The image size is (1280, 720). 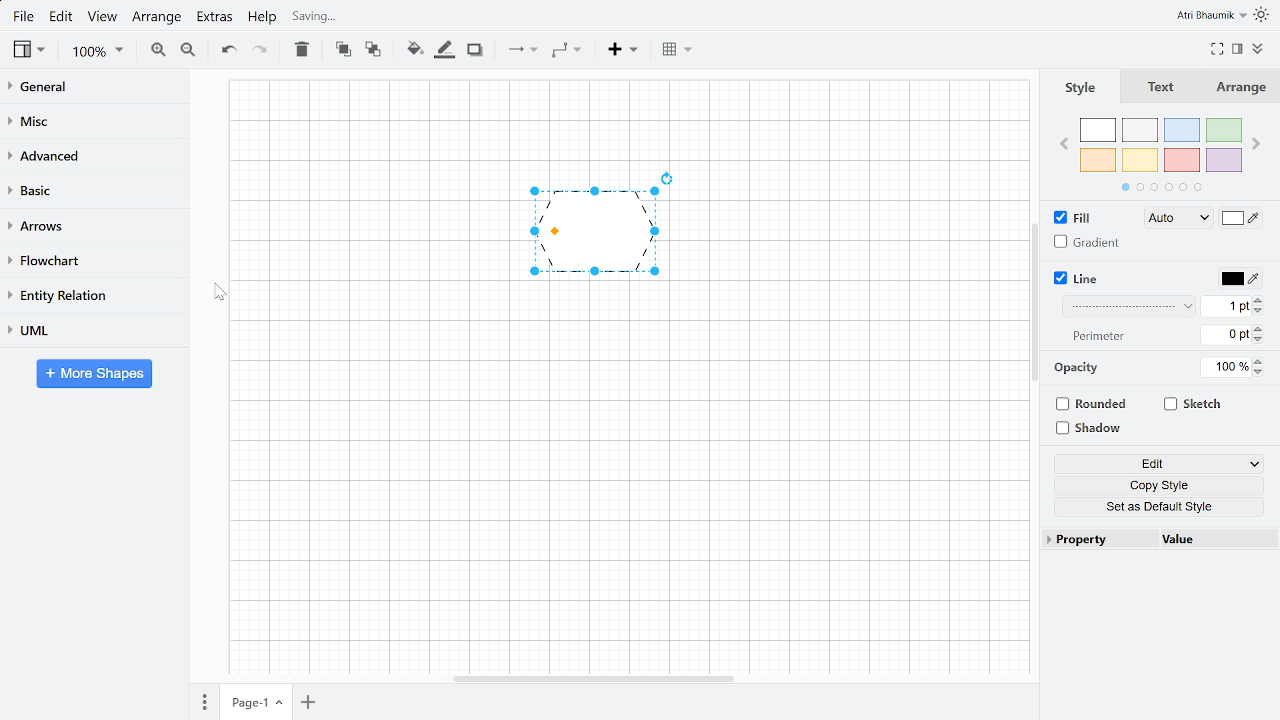 What do you see at coordinates (1226, 367) in the screenshot?
I see `Opacity` at bounding box center [1226, 367].